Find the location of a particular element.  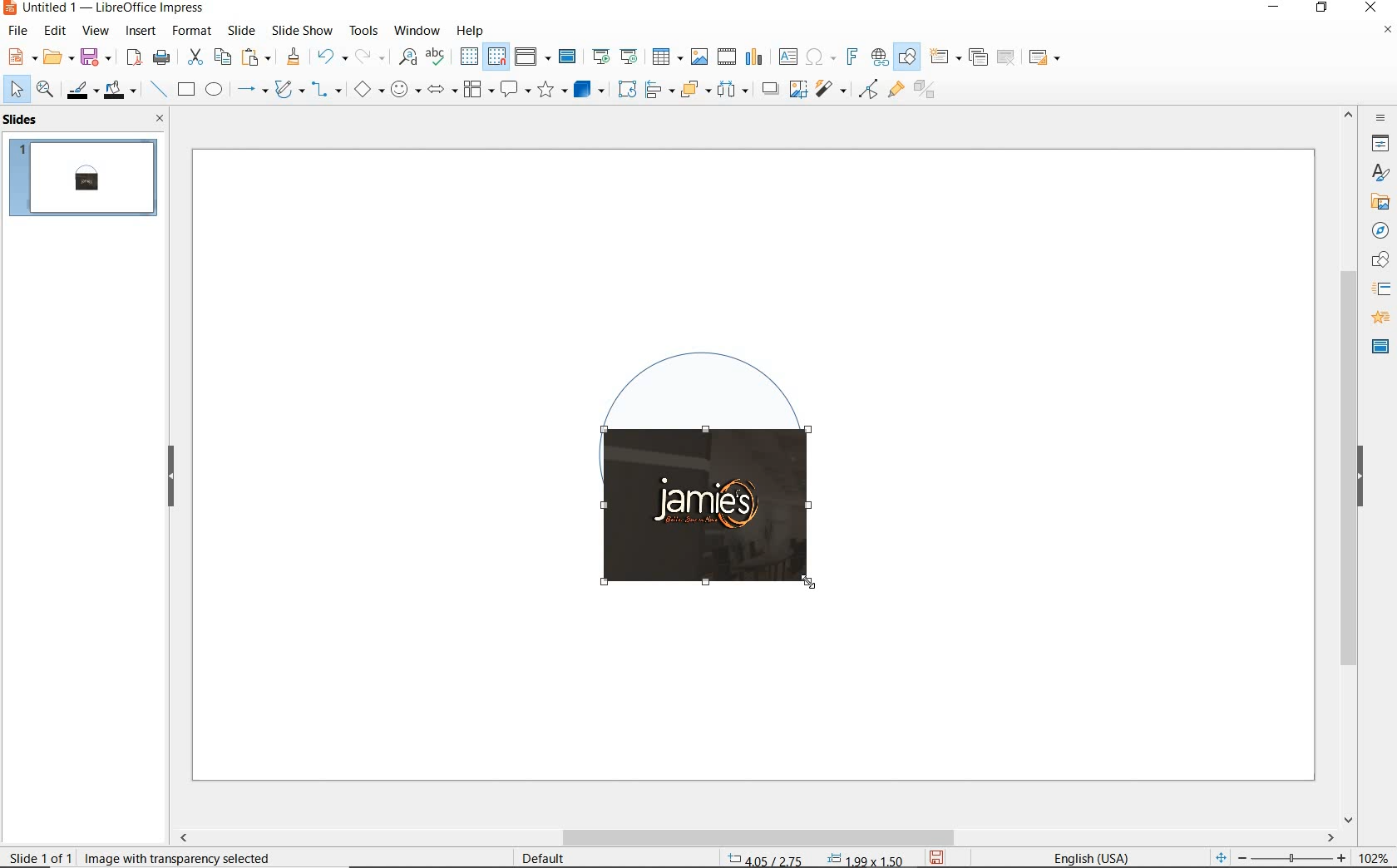

delete slide is located at coordinates (1006, 58).